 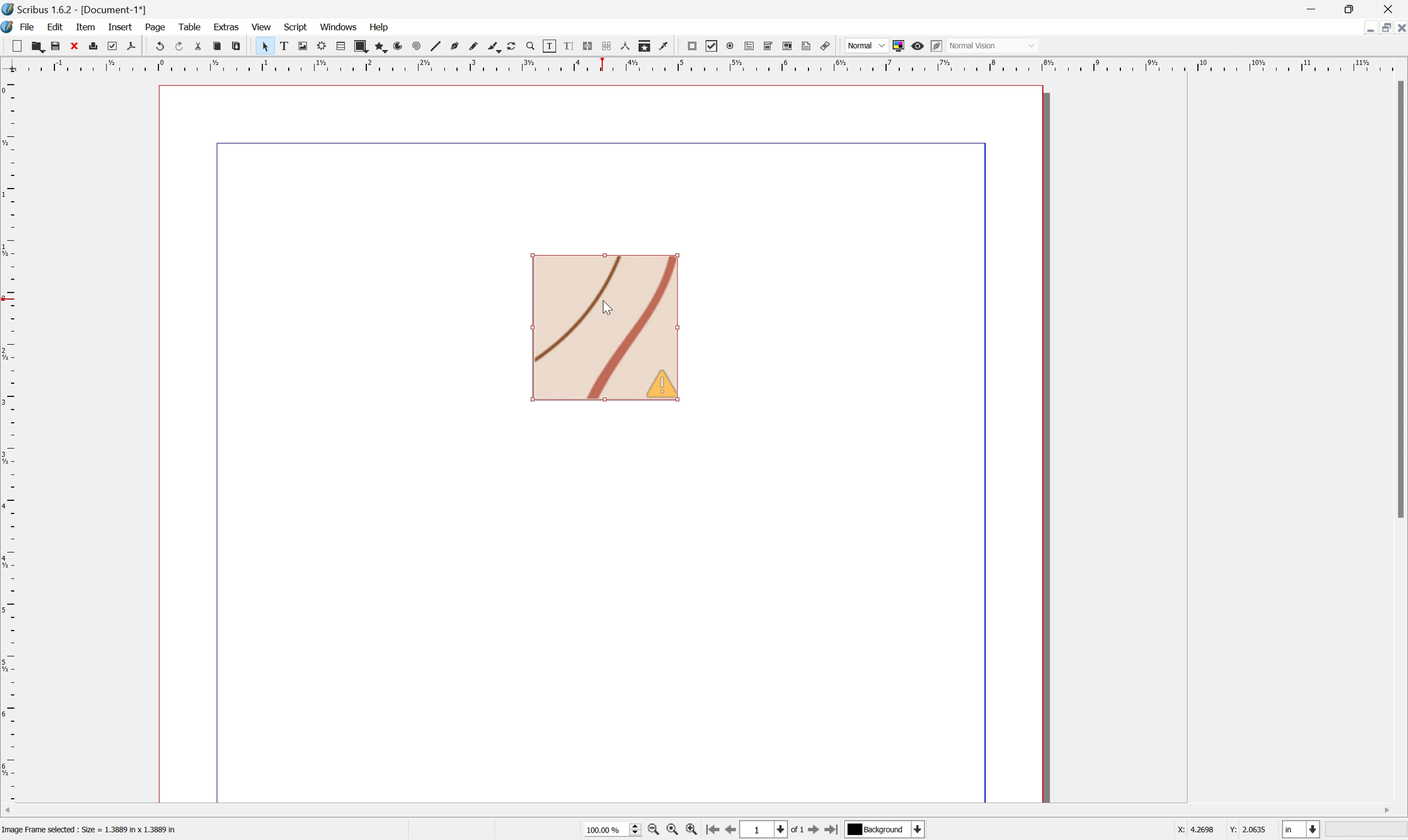 I want to click on Normal, so click(x=865, y=46).